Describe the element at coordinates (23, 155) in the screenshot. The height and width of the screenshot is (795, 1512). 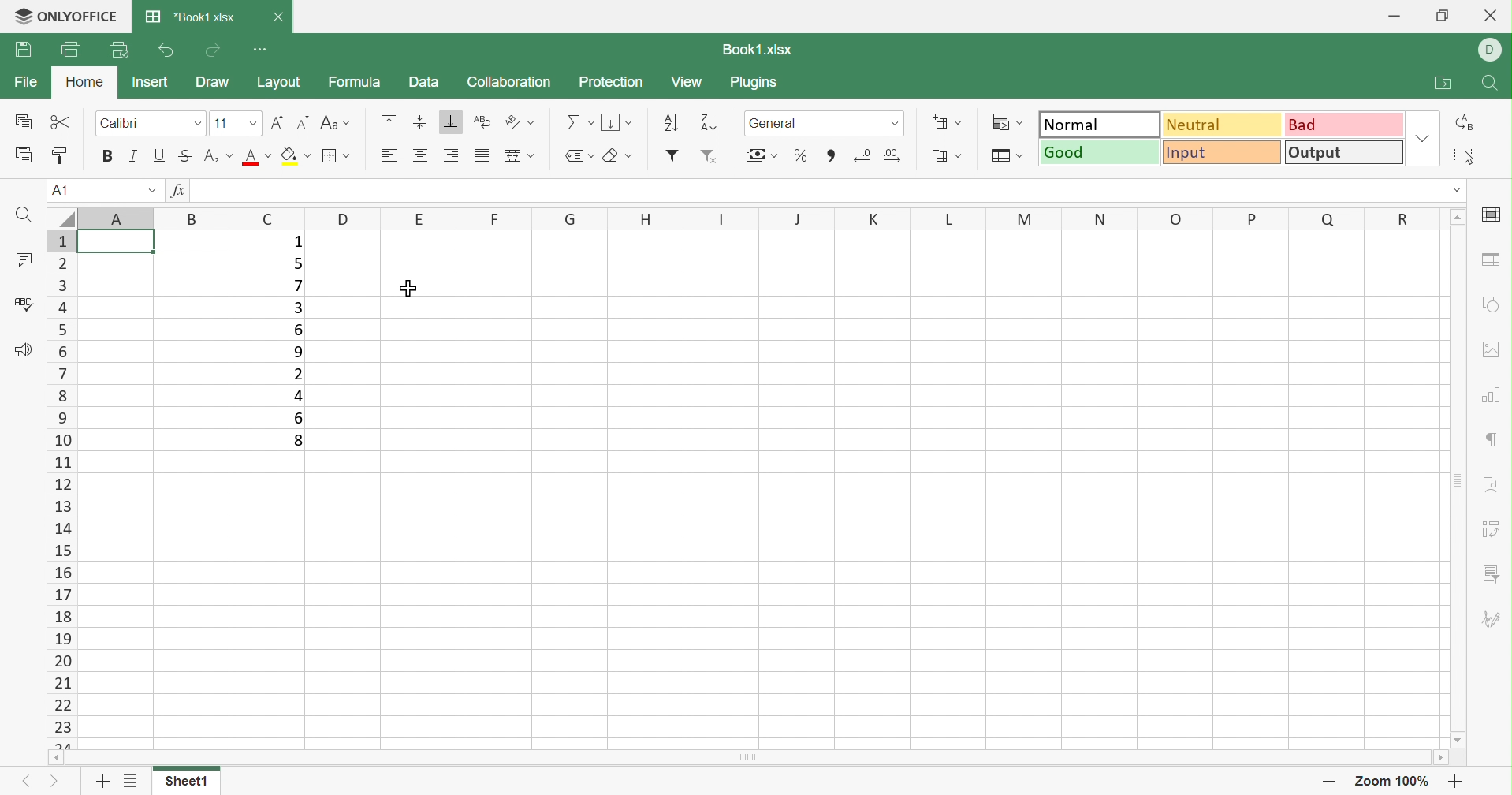
I see `Paste` at that location.